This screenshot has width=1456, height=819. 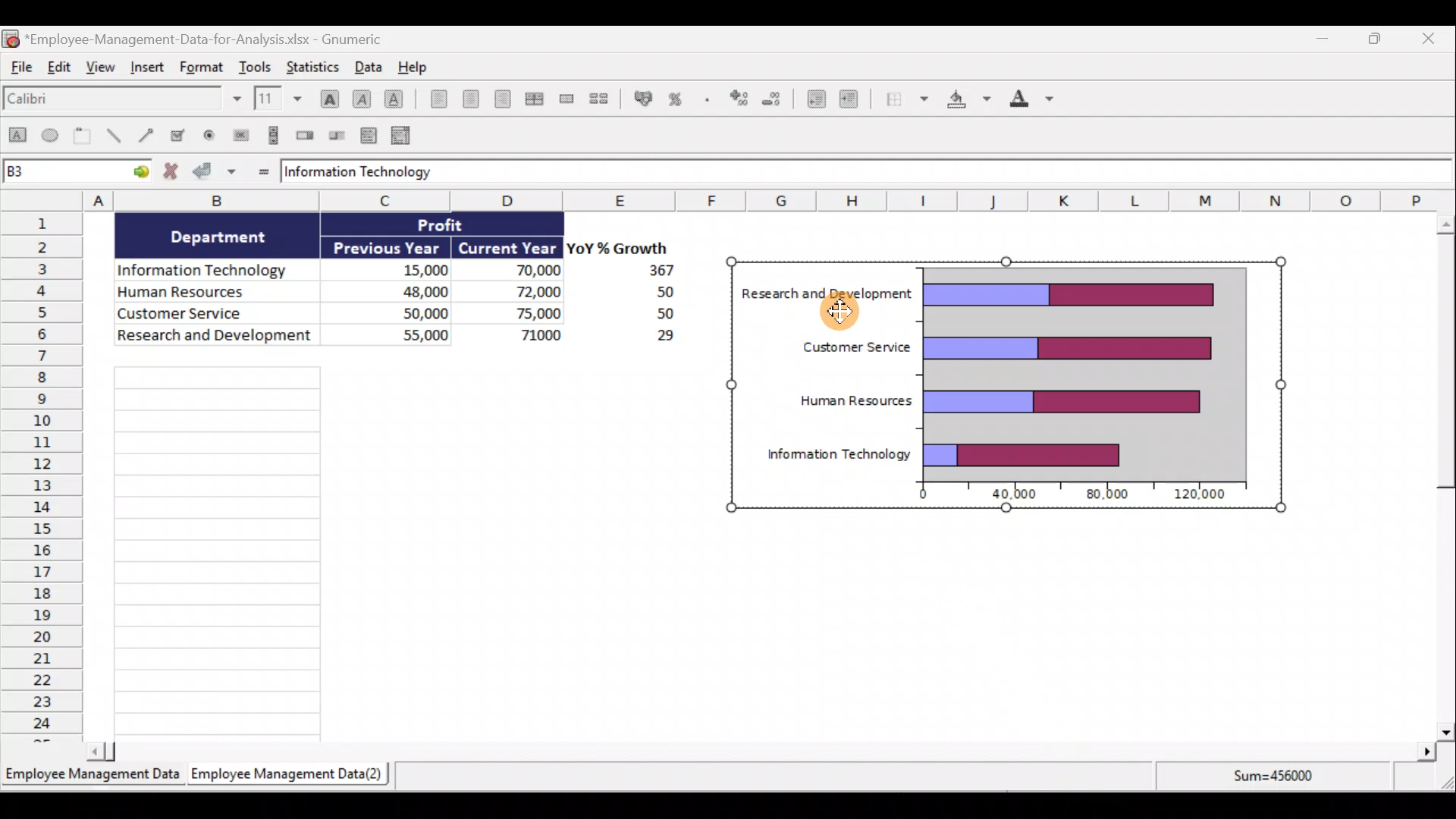 What do you see at coordinates (1103, 495) in the screenshot?
I see `80.000` at bounding box center [1103, 495].